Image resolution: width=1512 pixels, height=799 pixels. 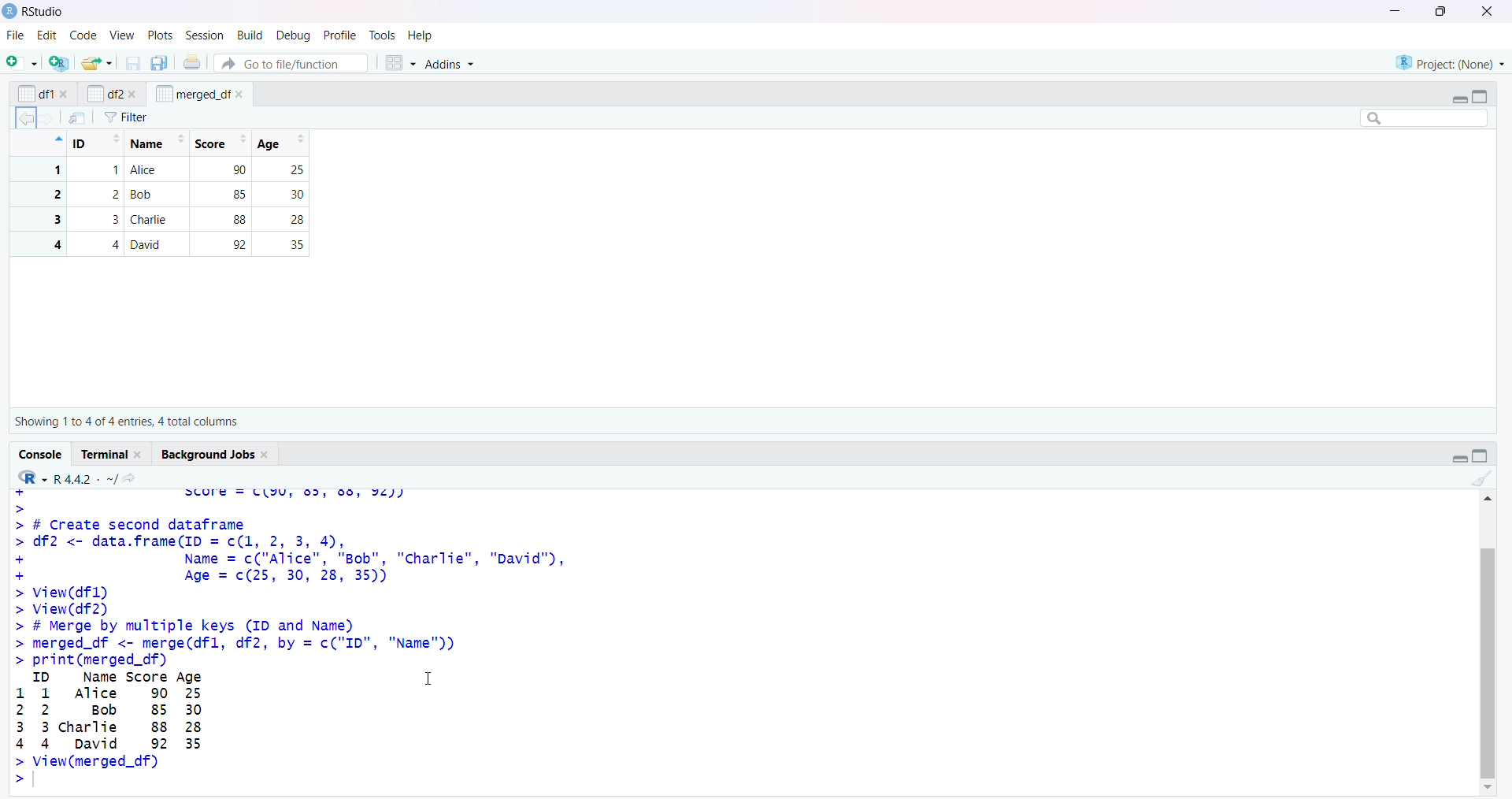 I want to click on grid, so click(x=401, y=63).